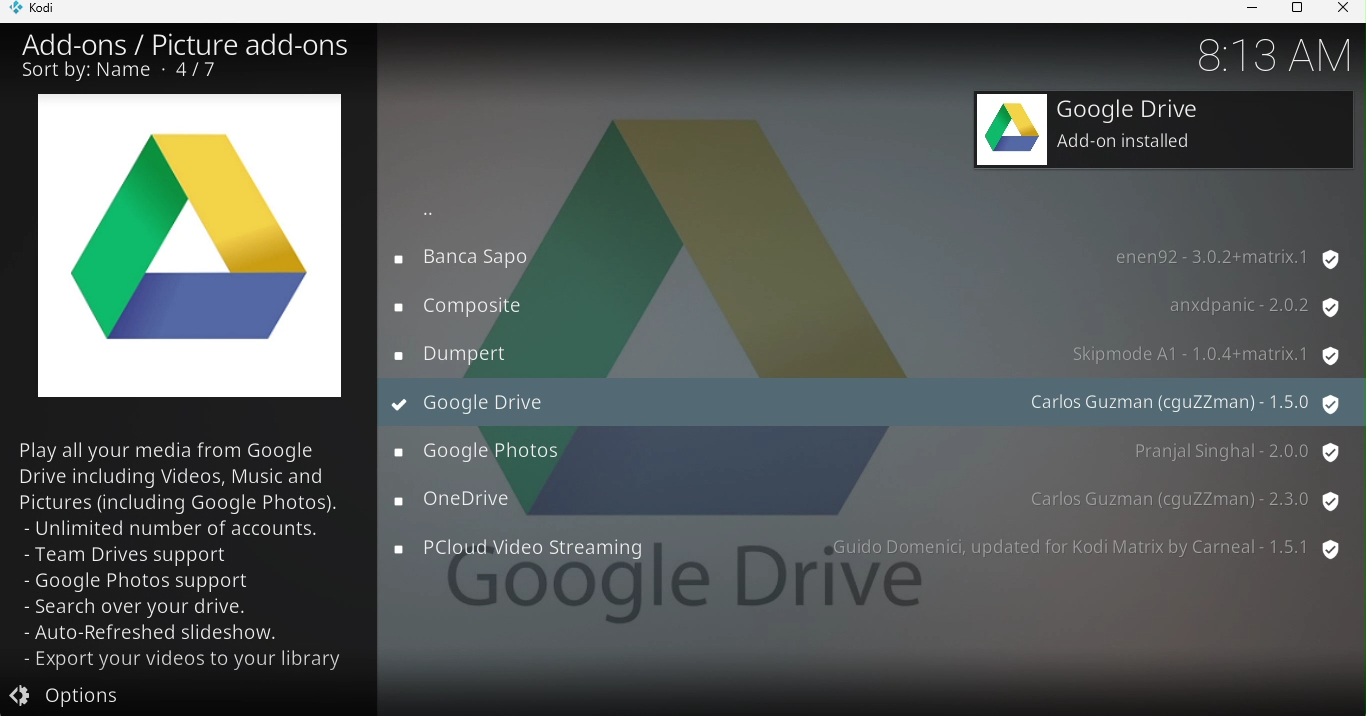  Describe the element at coordinates (868, 500) in the screenshot. I see `OneDrive` at that location.